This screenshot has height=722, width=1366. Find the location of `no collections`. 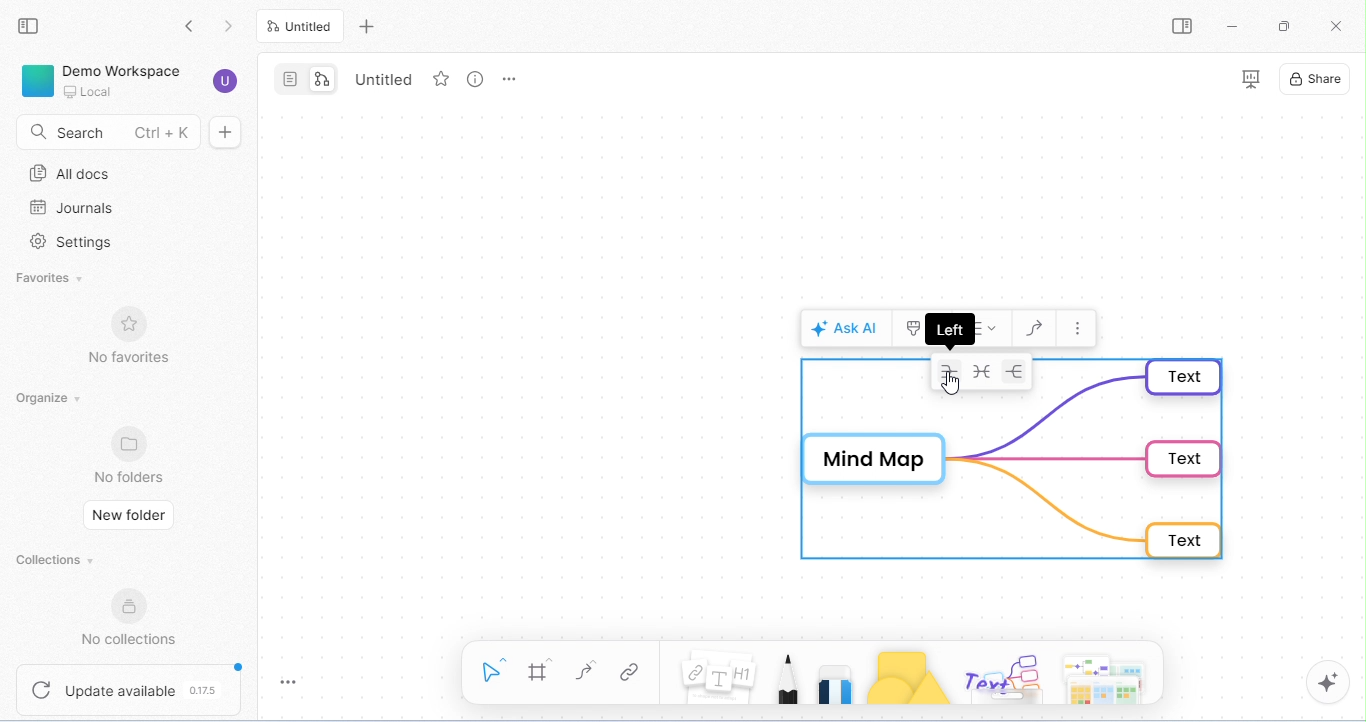

no collections is located at coordinates (130, 617).